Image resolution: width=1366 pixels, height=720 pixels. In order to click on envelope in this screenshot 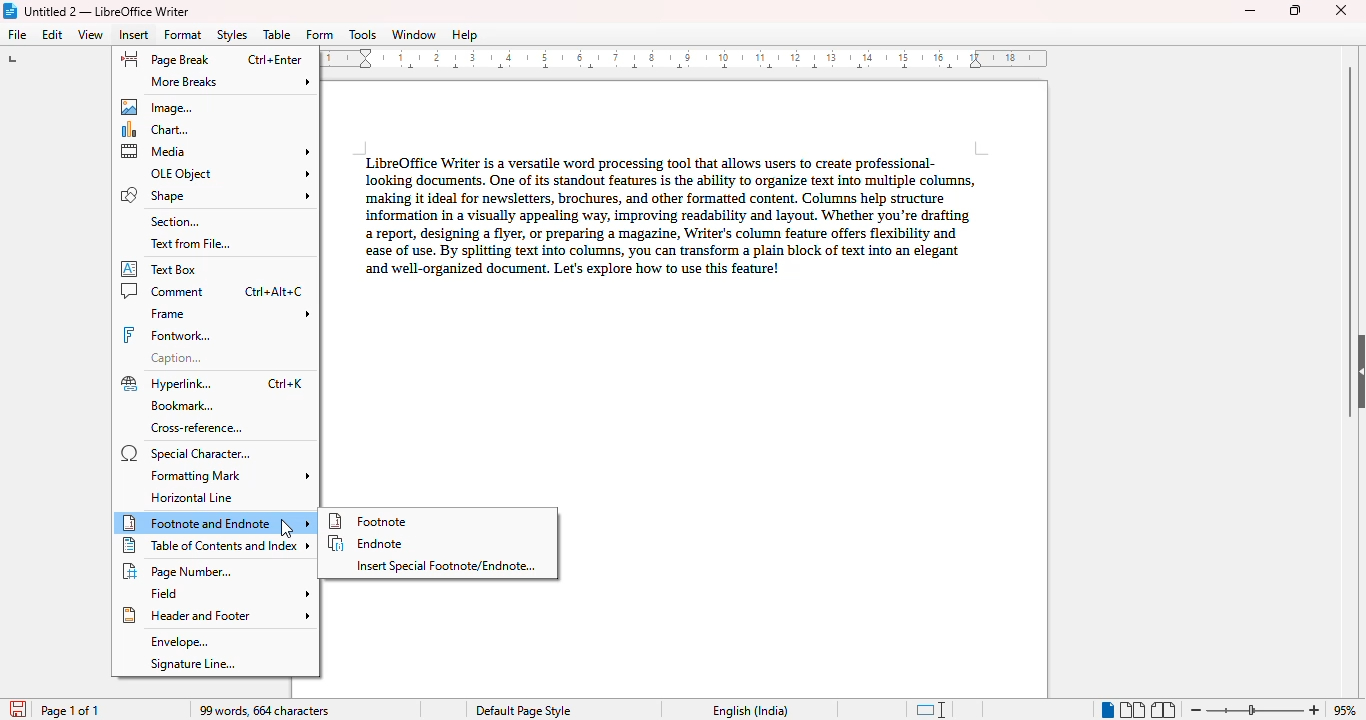, I will do `click(177, 642)`.